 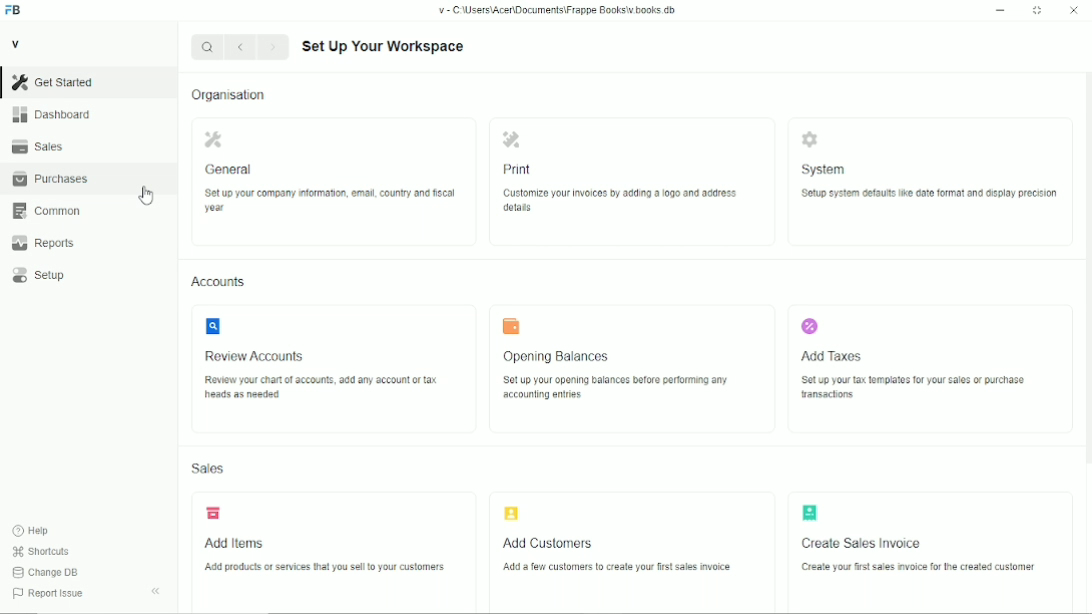 I want to click on Add a few customers to create your first sales invoice:, so click(x=627, y=572).